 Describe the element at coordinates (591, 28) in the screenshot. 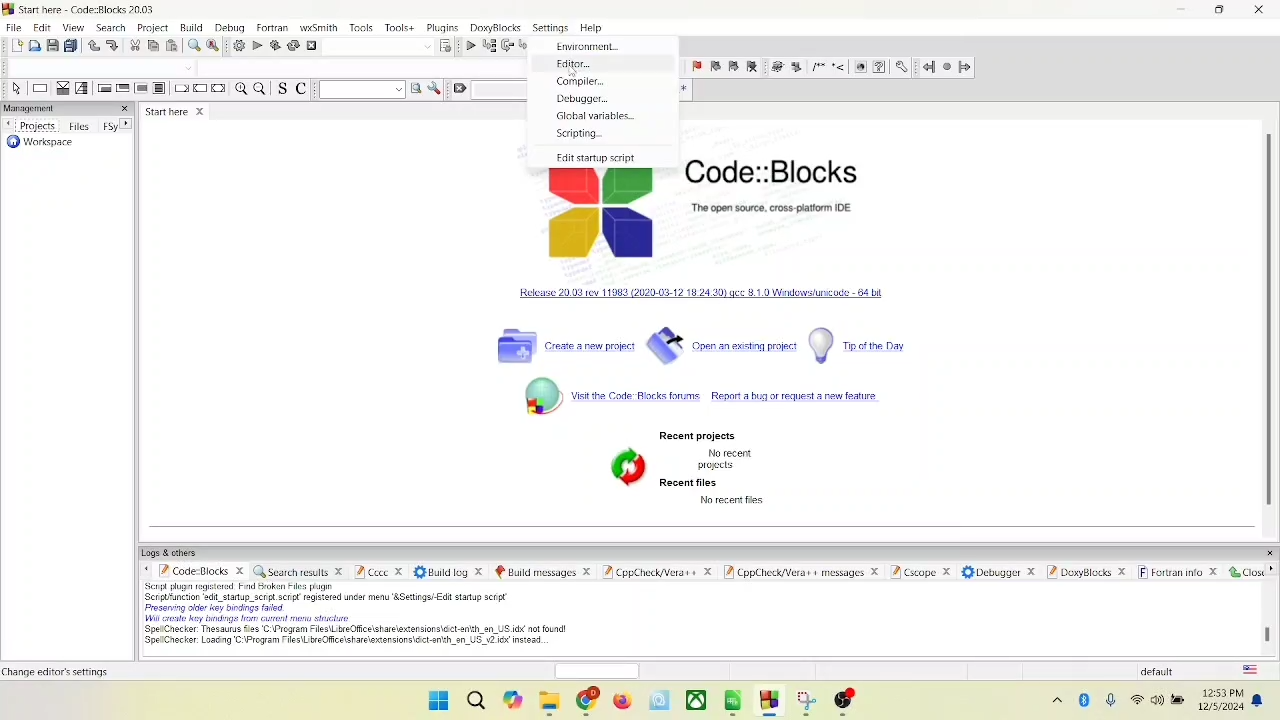

I see `help` at that location.